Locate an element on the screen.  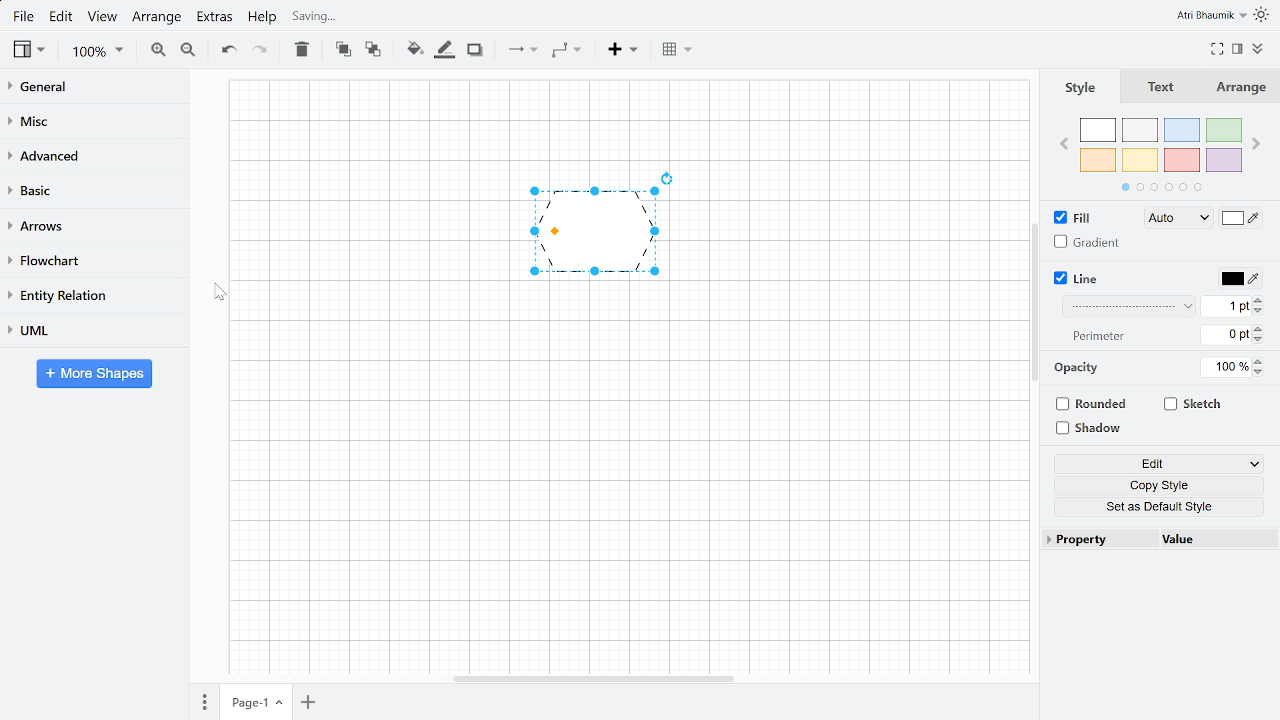
Fill colour is located at coordinates (414, 50).